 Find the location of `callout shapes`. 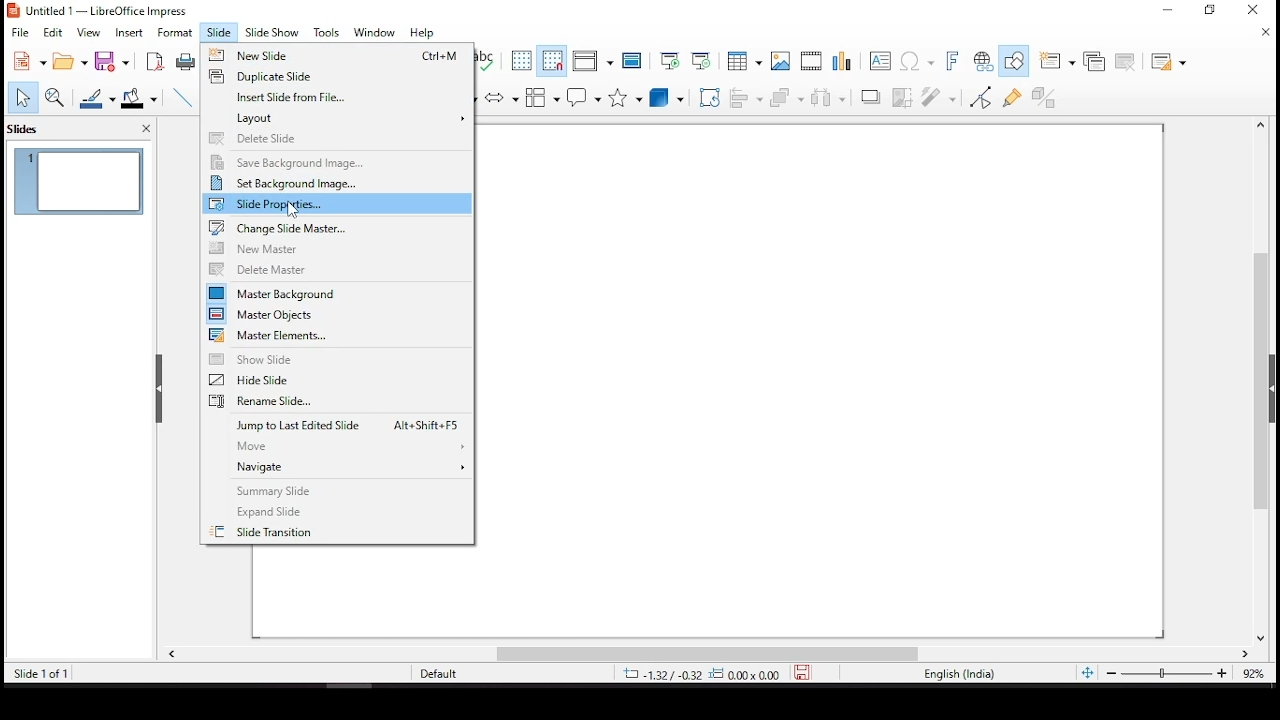

callout shapes is located at coordinates (586, 96).